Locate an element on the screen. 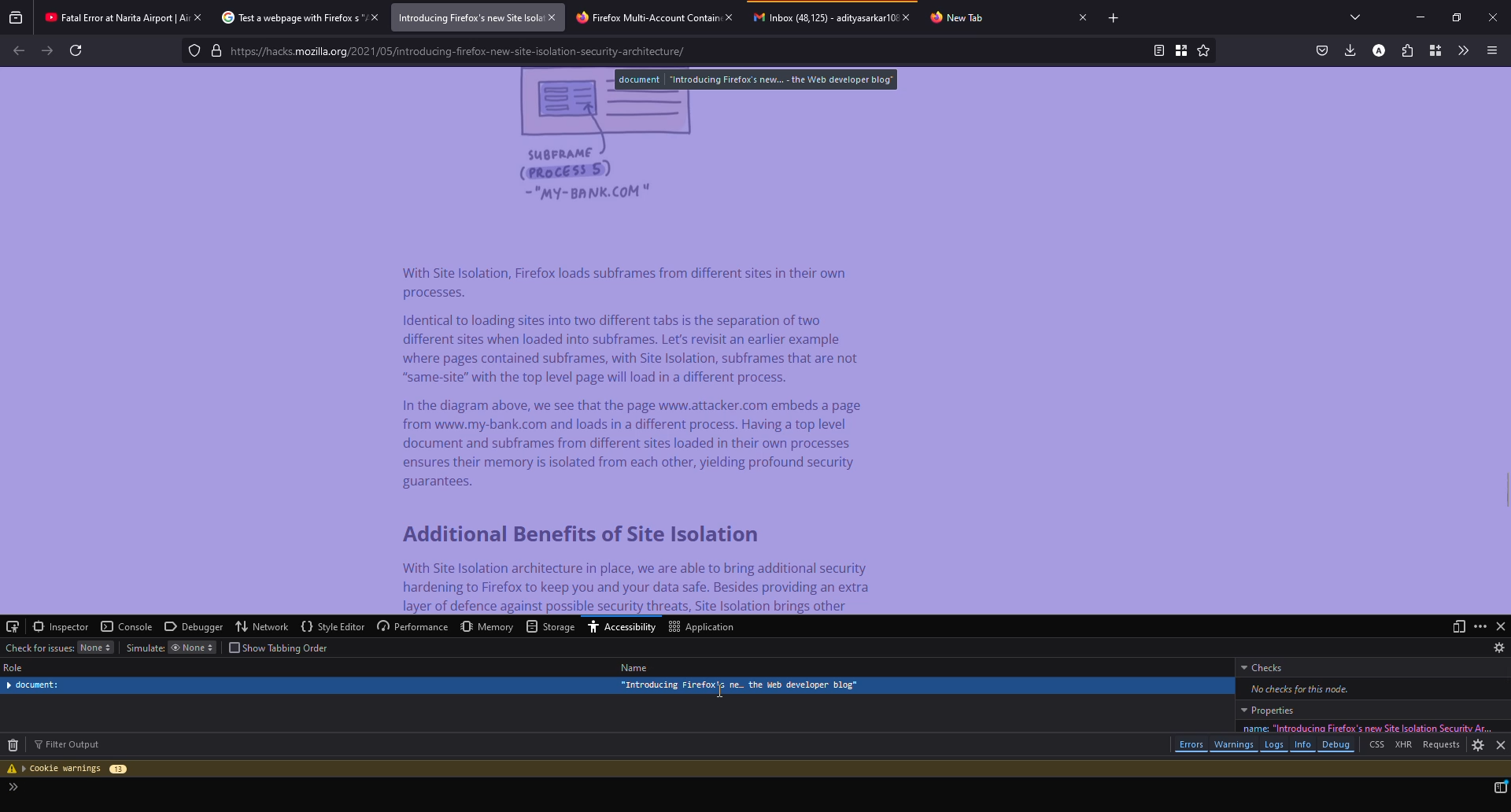  xhr is located at coordinates (1402, 747).